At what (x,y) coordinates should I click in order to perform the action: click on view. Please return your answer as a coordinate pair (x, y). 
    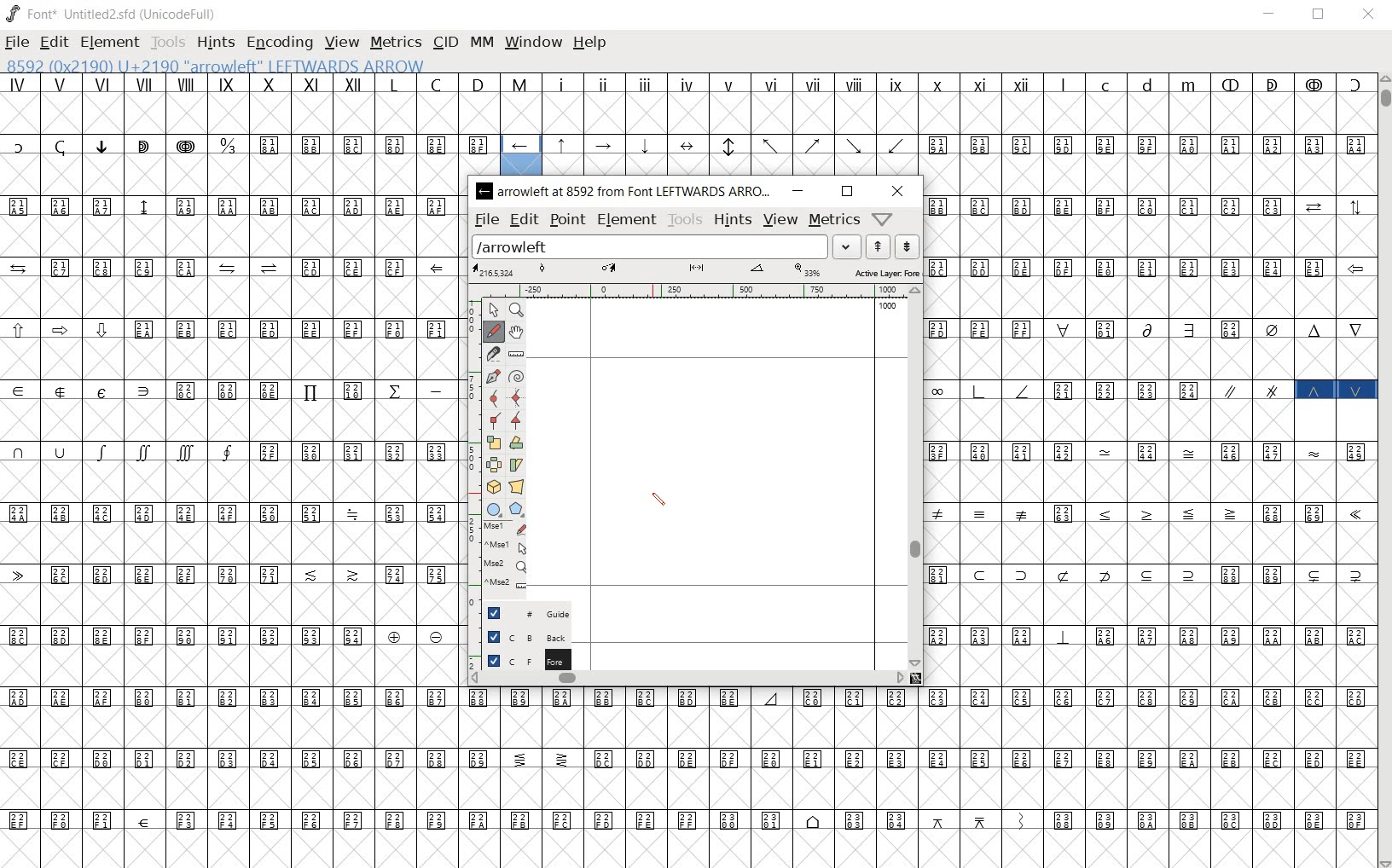
    Looking at the image, I should click on (343, 42).